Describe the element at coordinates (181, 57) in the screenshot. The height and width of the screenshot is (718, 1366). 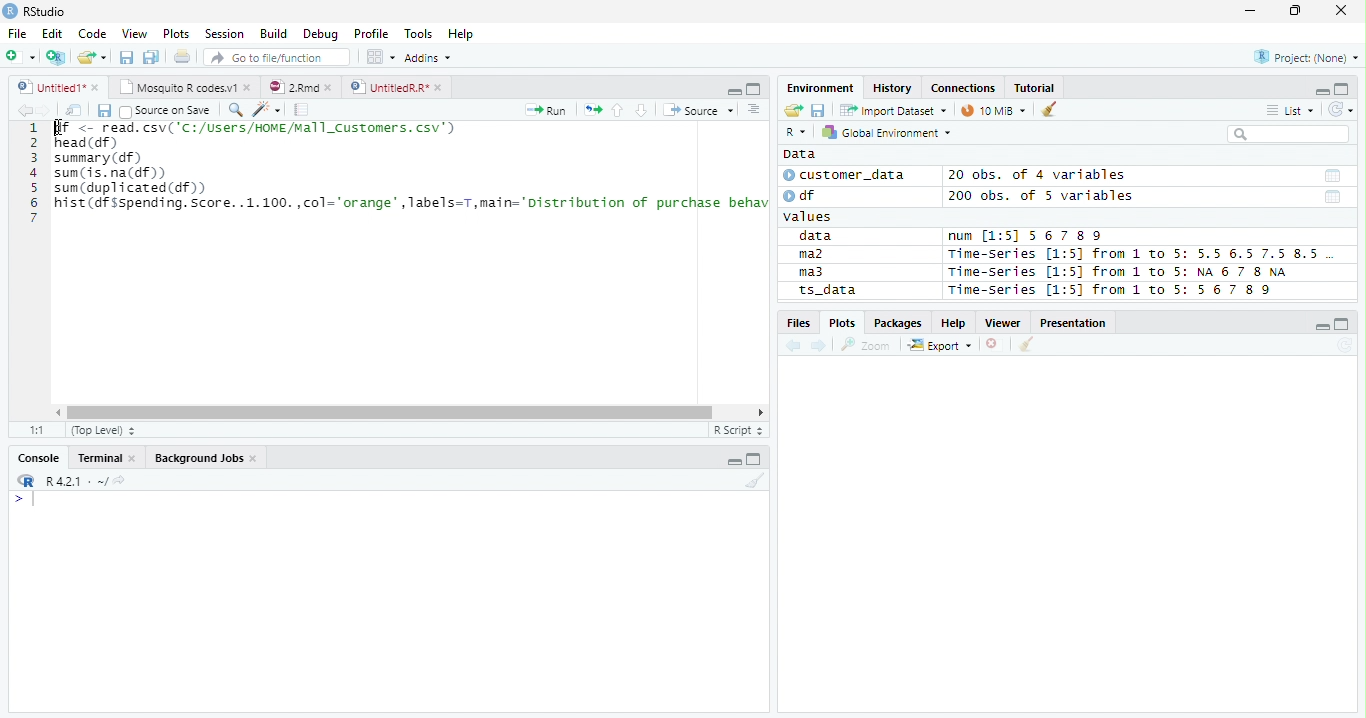
I see `Print` at that location.